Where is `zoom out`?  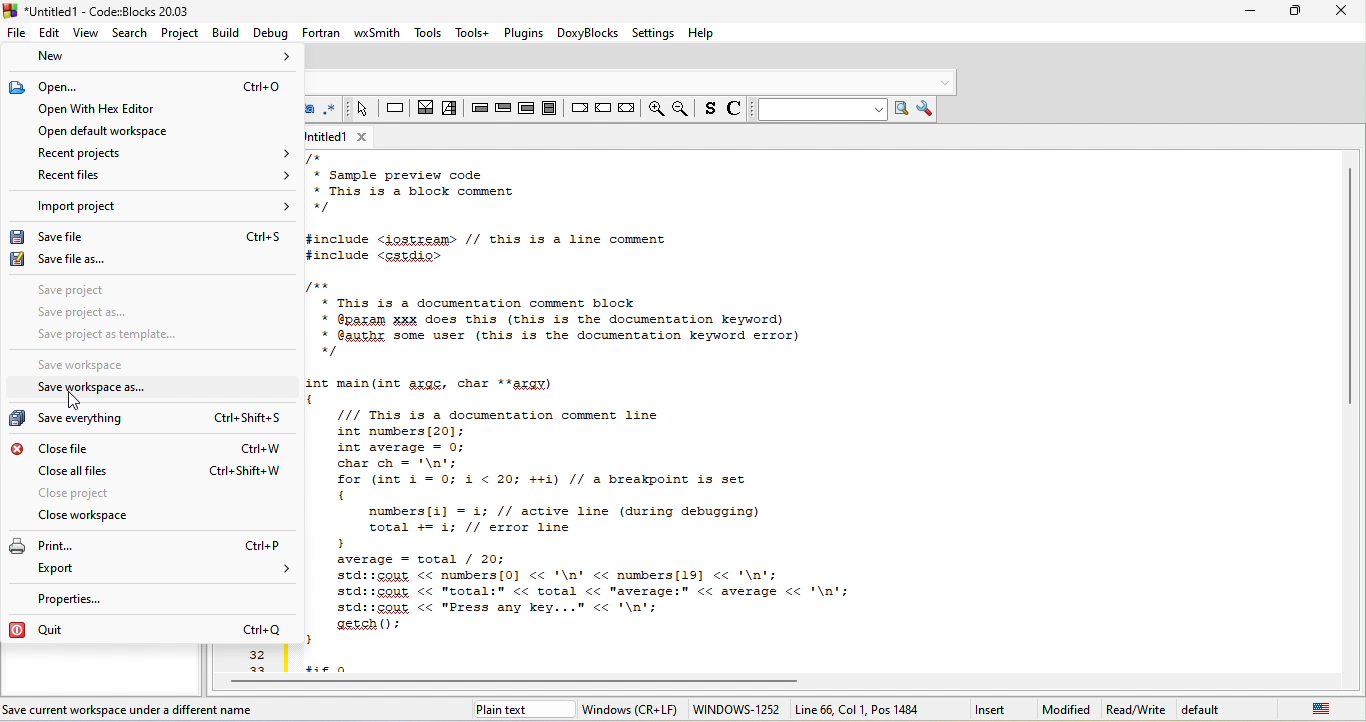 zoom out is located at coordinates (683, 109).